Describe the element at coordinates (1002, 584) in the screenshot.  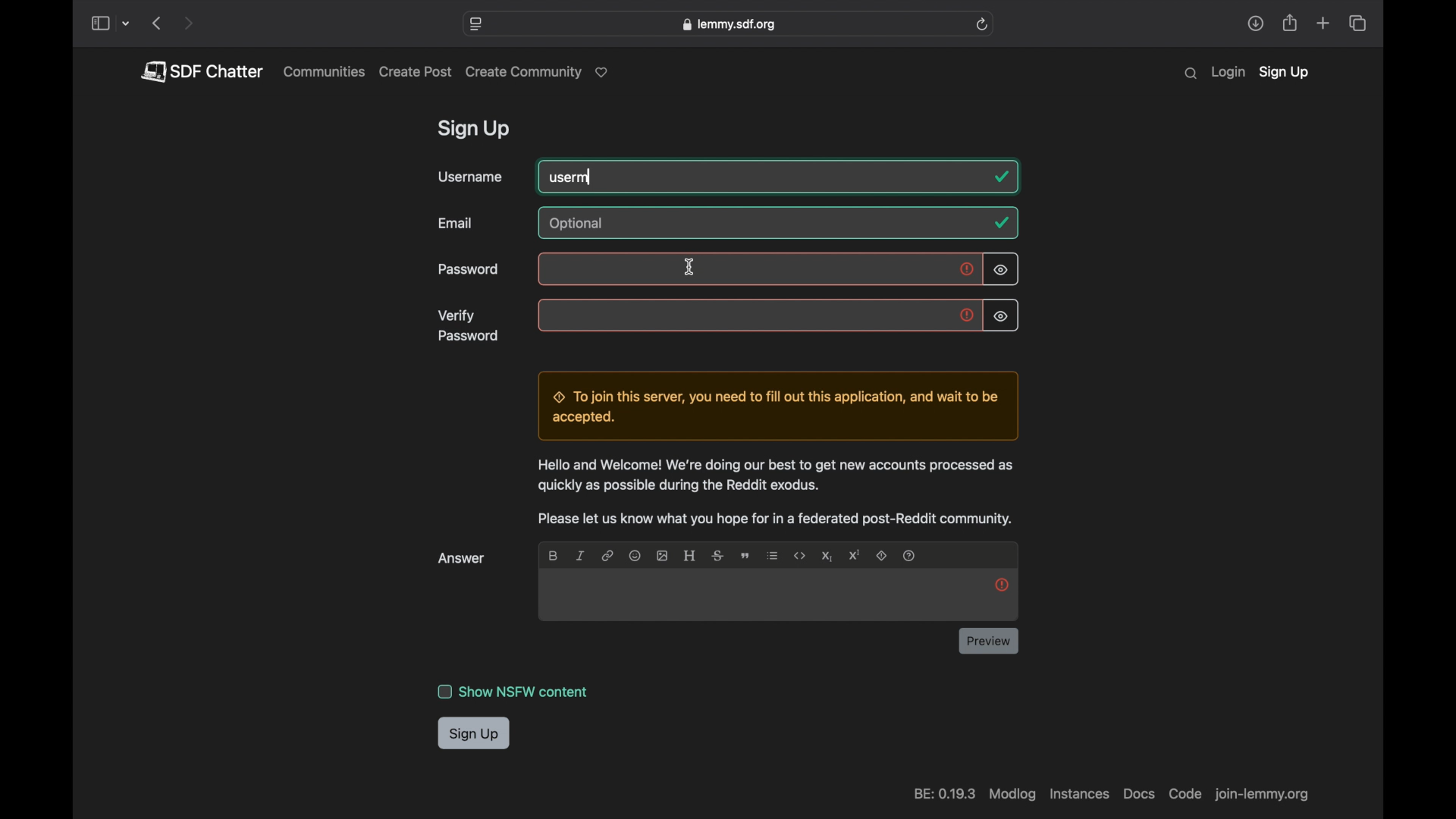
I see `exclamation ` at that location.